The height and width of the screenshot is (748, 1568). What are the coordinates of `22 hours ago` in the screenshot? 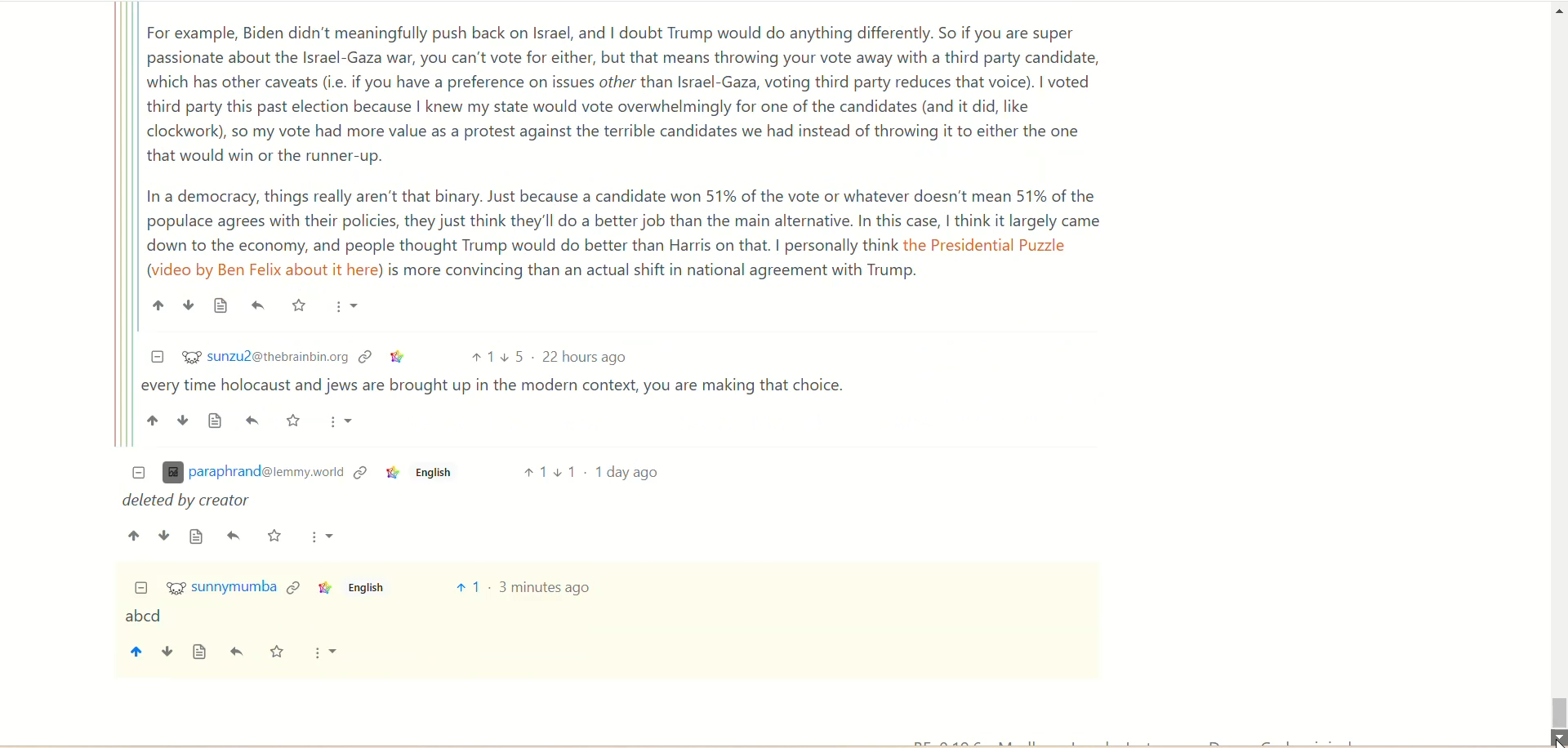 It's located at (584, 358).